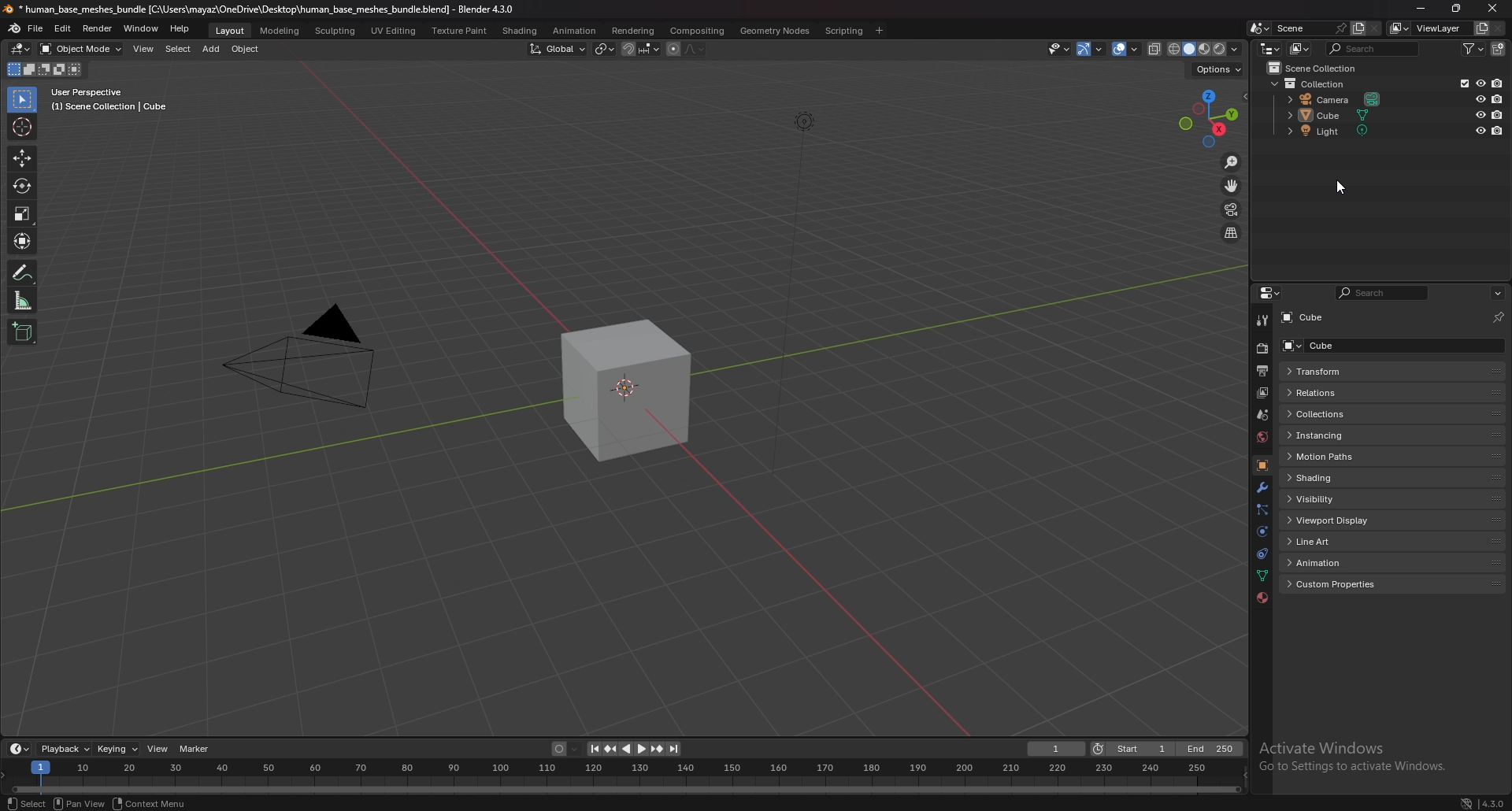  I want to click on view layer, so click(1262, 393).